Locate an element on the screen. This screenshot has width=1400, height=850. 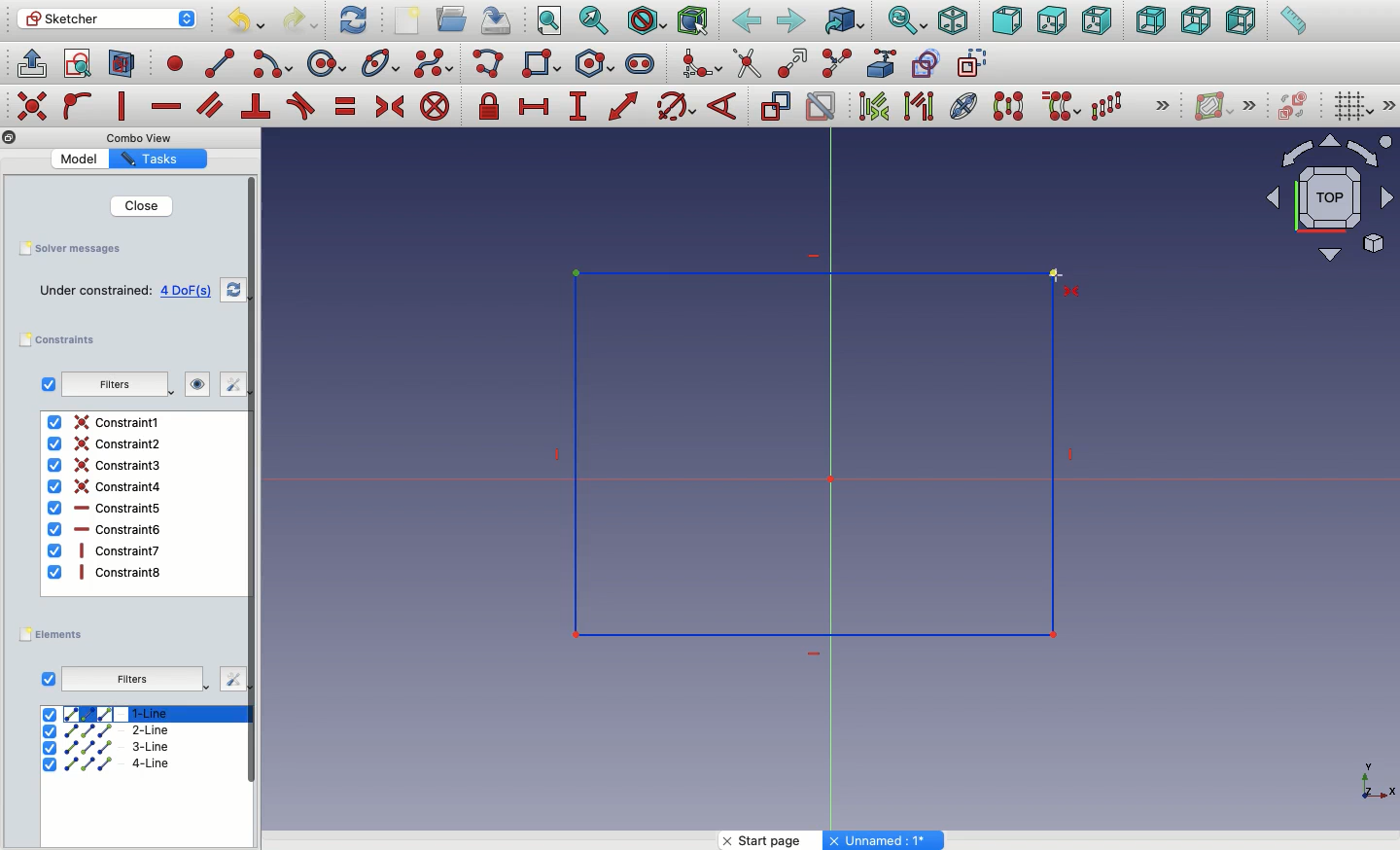
Toggle reference constraint is located at coordinates (775, 105).